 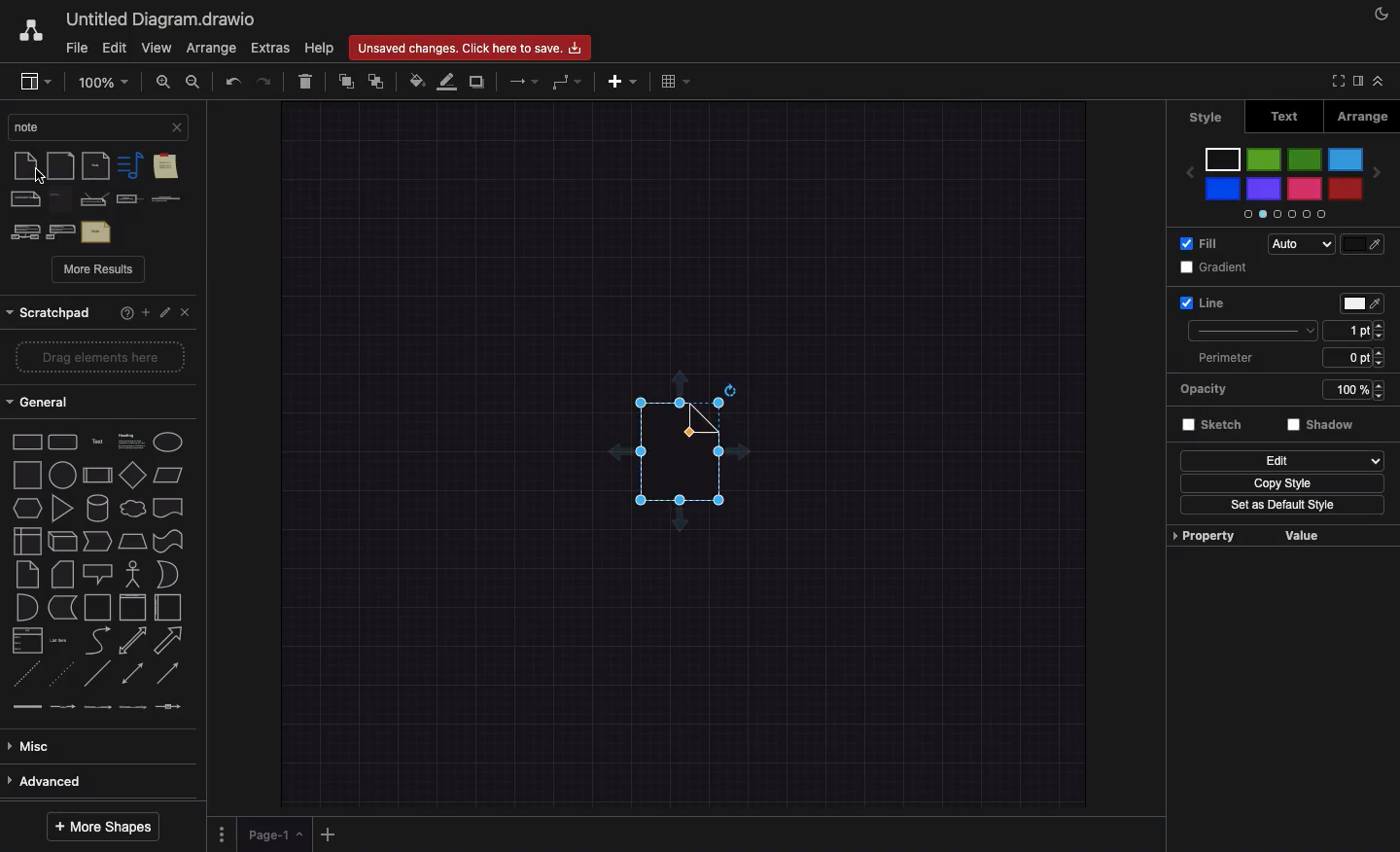 What do you see at coordinates (23, 166) in the screenshot?
I see `note ` at bounding box center [23, 166].